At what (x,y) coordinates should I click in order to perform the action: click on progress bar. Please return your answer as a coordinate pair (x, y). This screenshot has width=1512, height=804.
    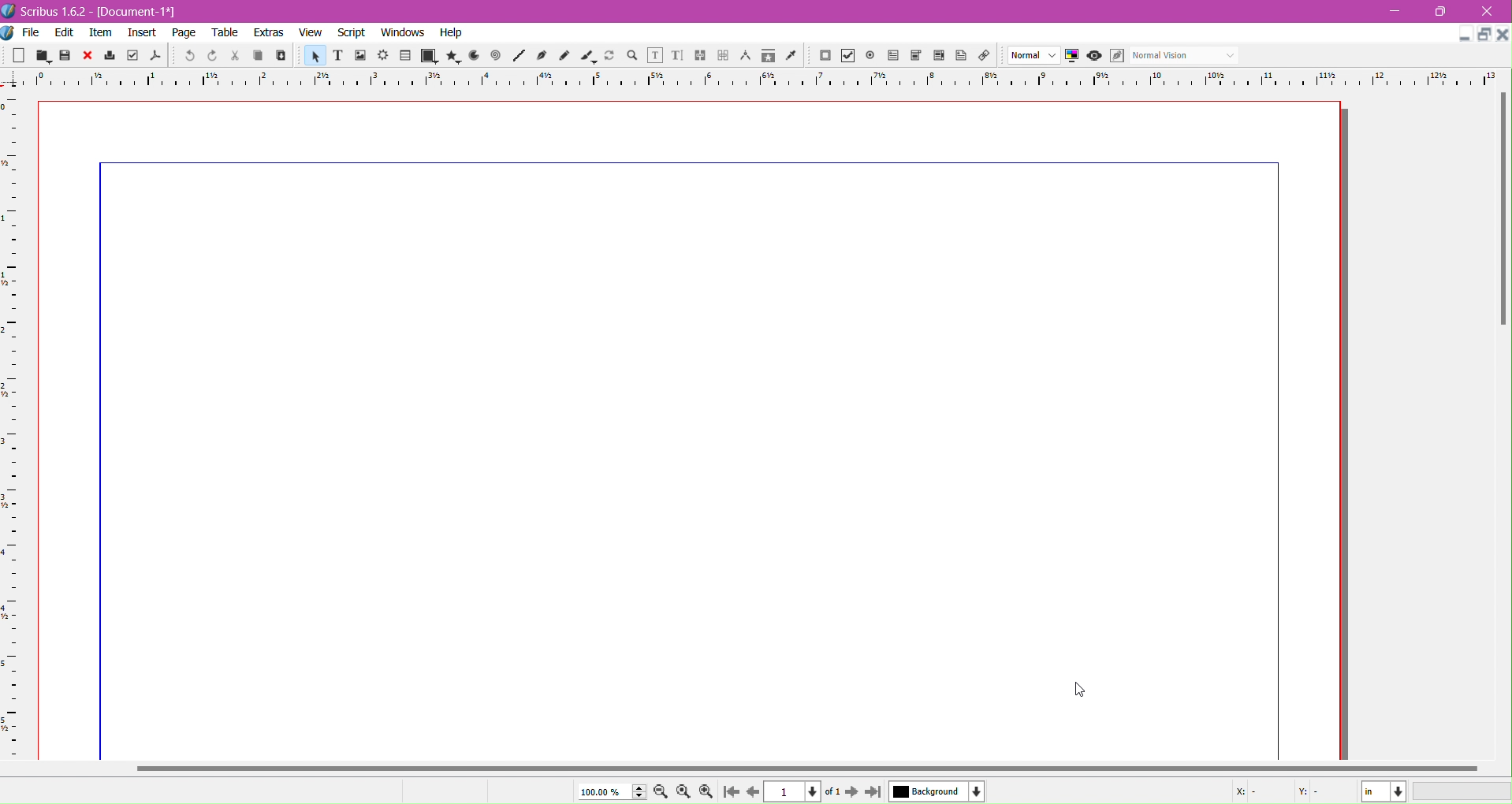
    Looking at the image, I should click on (1463, 792).